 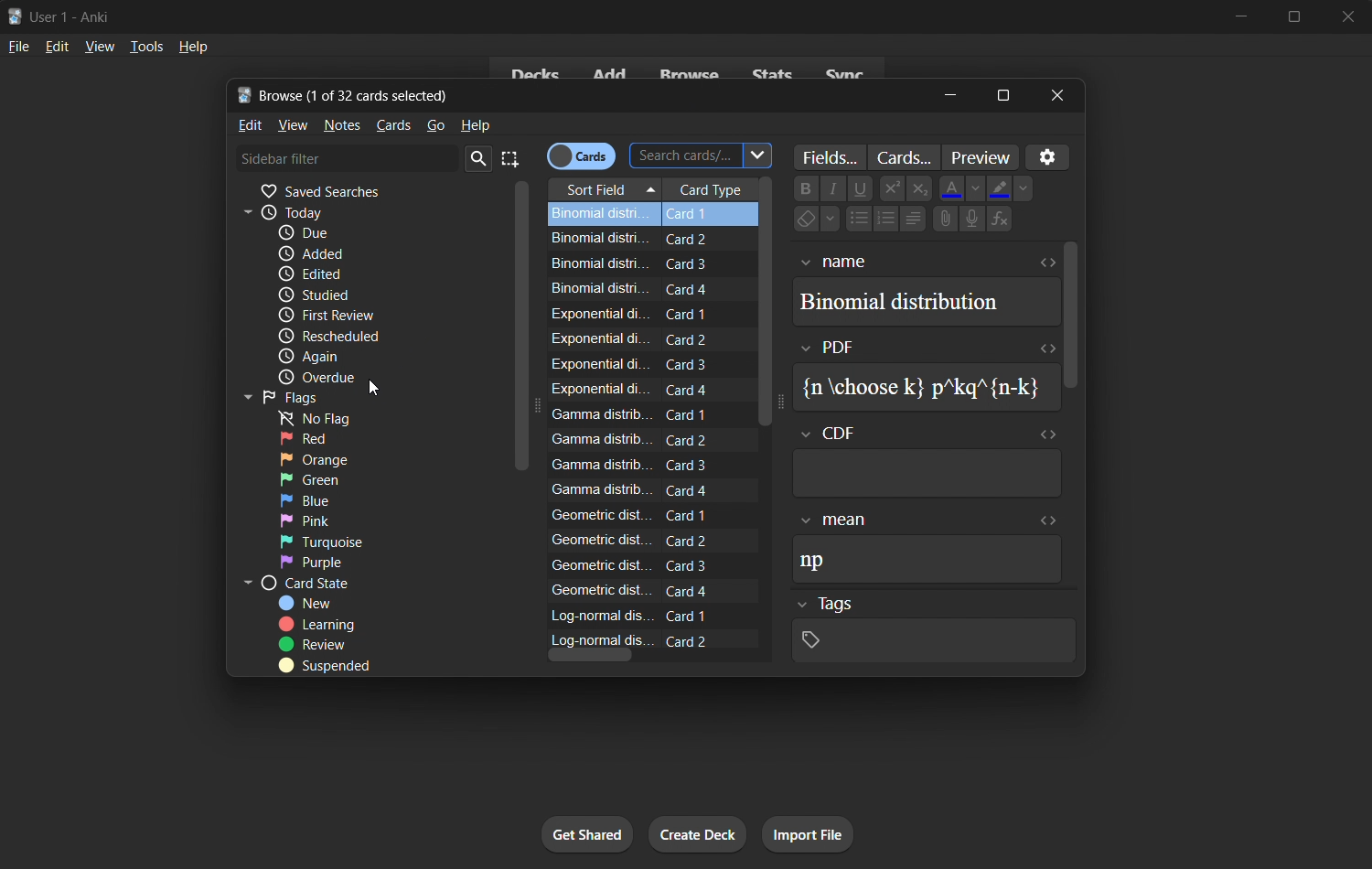 What do you see at coordinates (887, 220) in the screenshot?
I see `` at bounding box center [887, 220].